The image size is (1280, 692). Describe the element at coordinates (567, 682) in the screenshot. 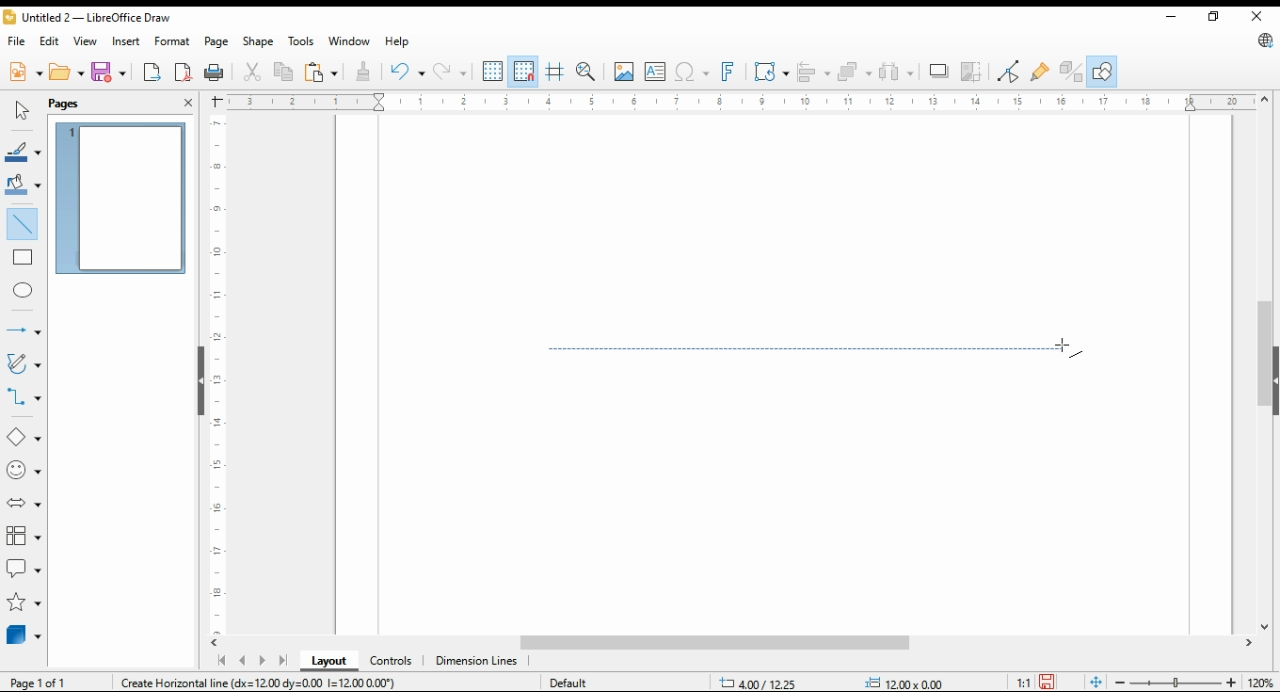

I see `default` at that location.